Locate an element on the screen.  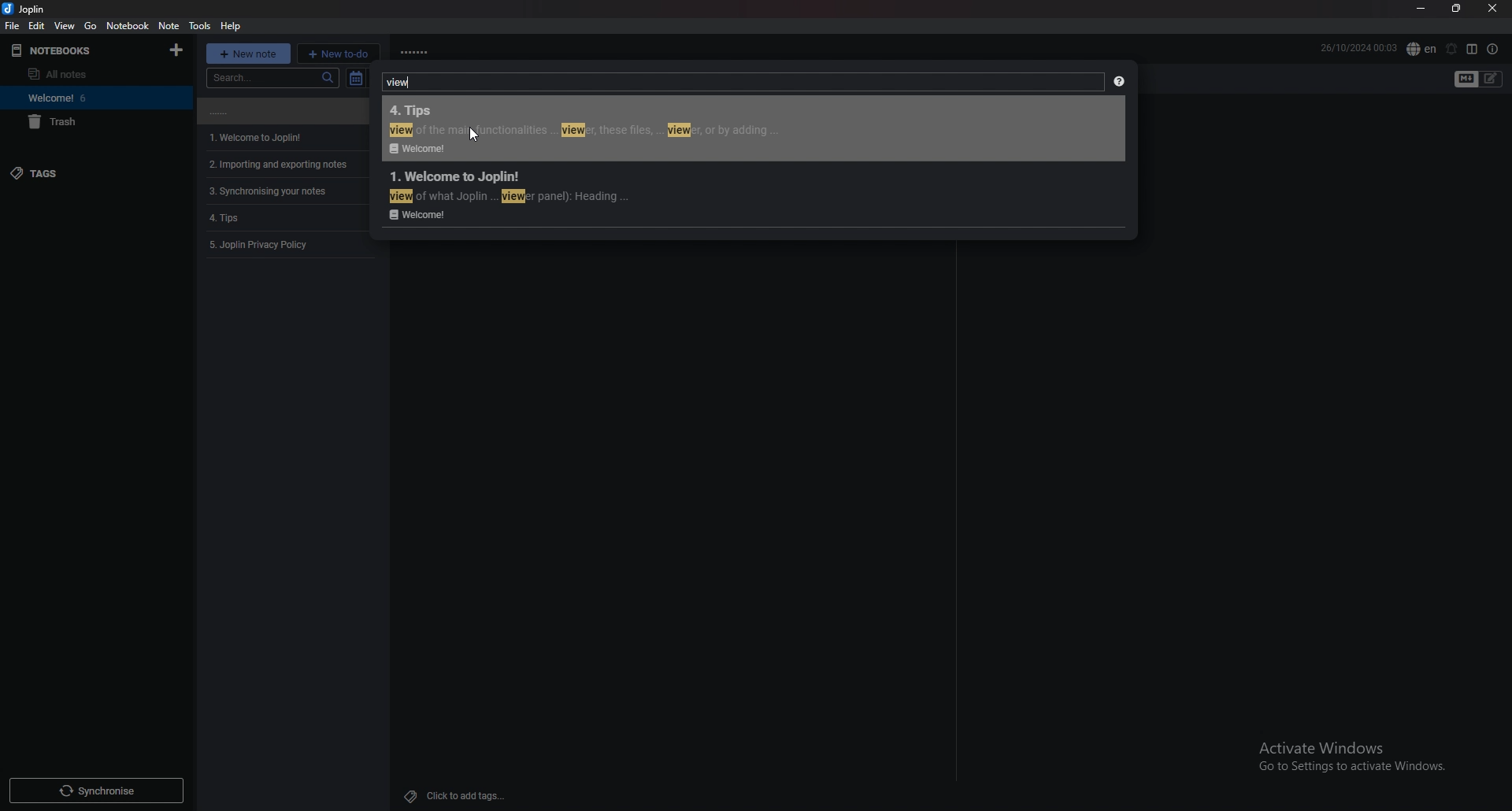
file is located at coordinates (13, 26).